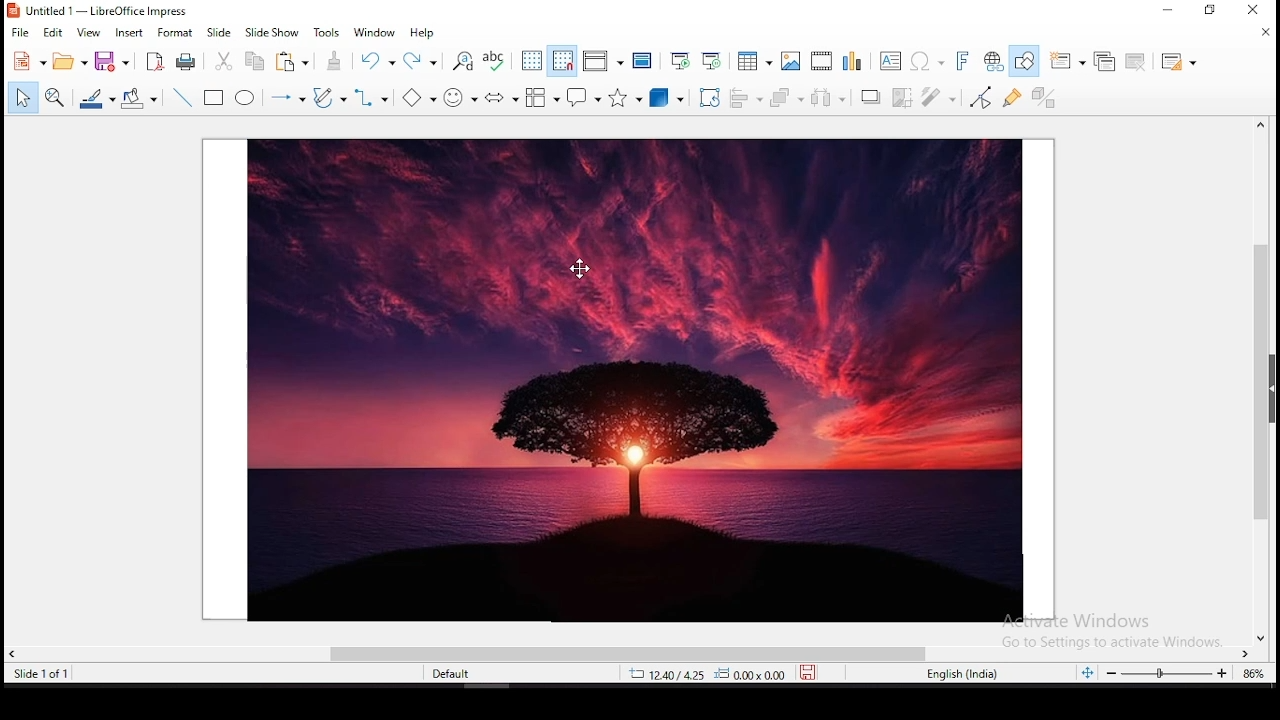  Describe the element at coordinates (1251, 676) in the screenshot. I see `current zoom level` at that location.